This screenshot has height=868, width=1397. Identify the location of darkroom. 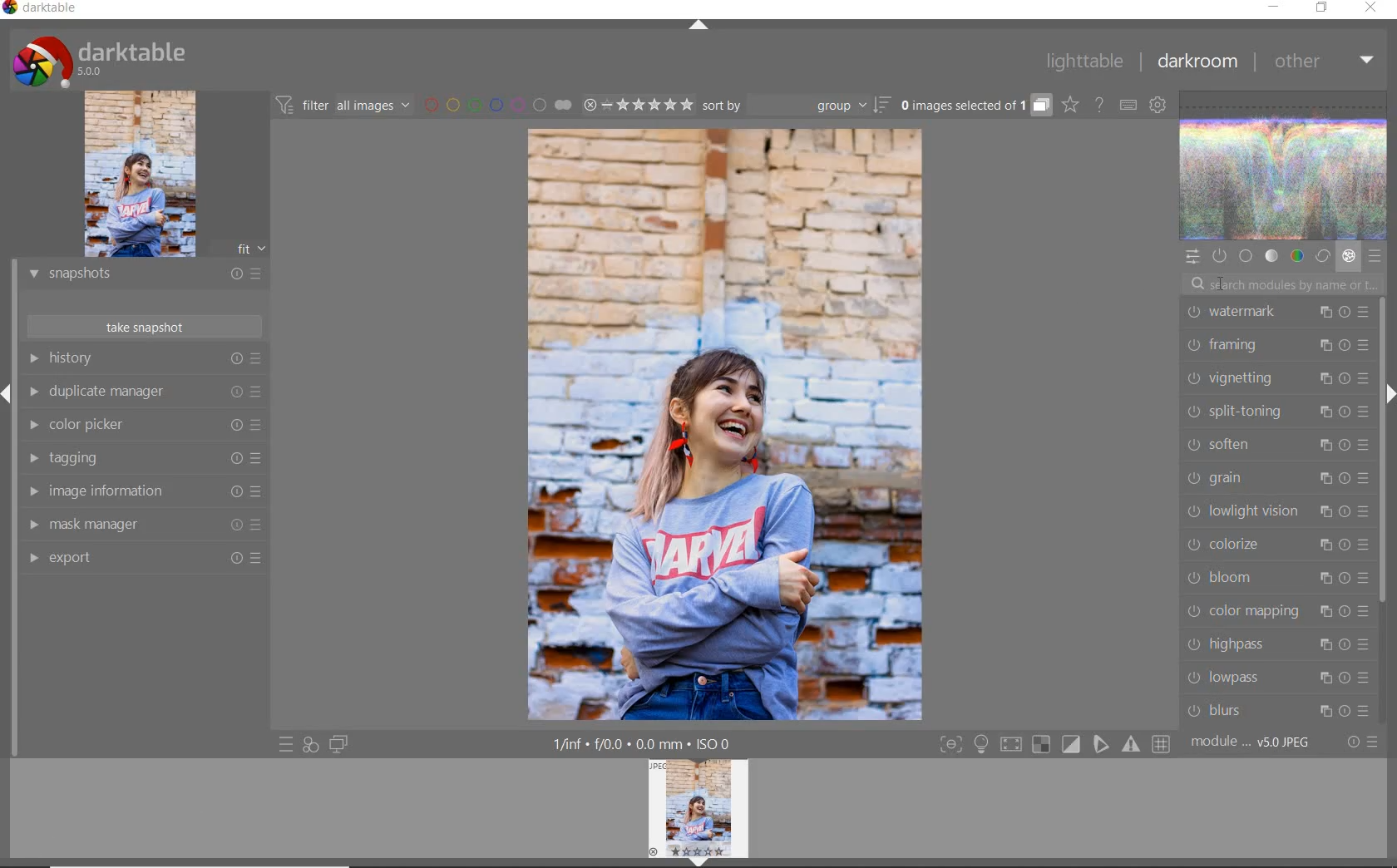
(1197, 62).